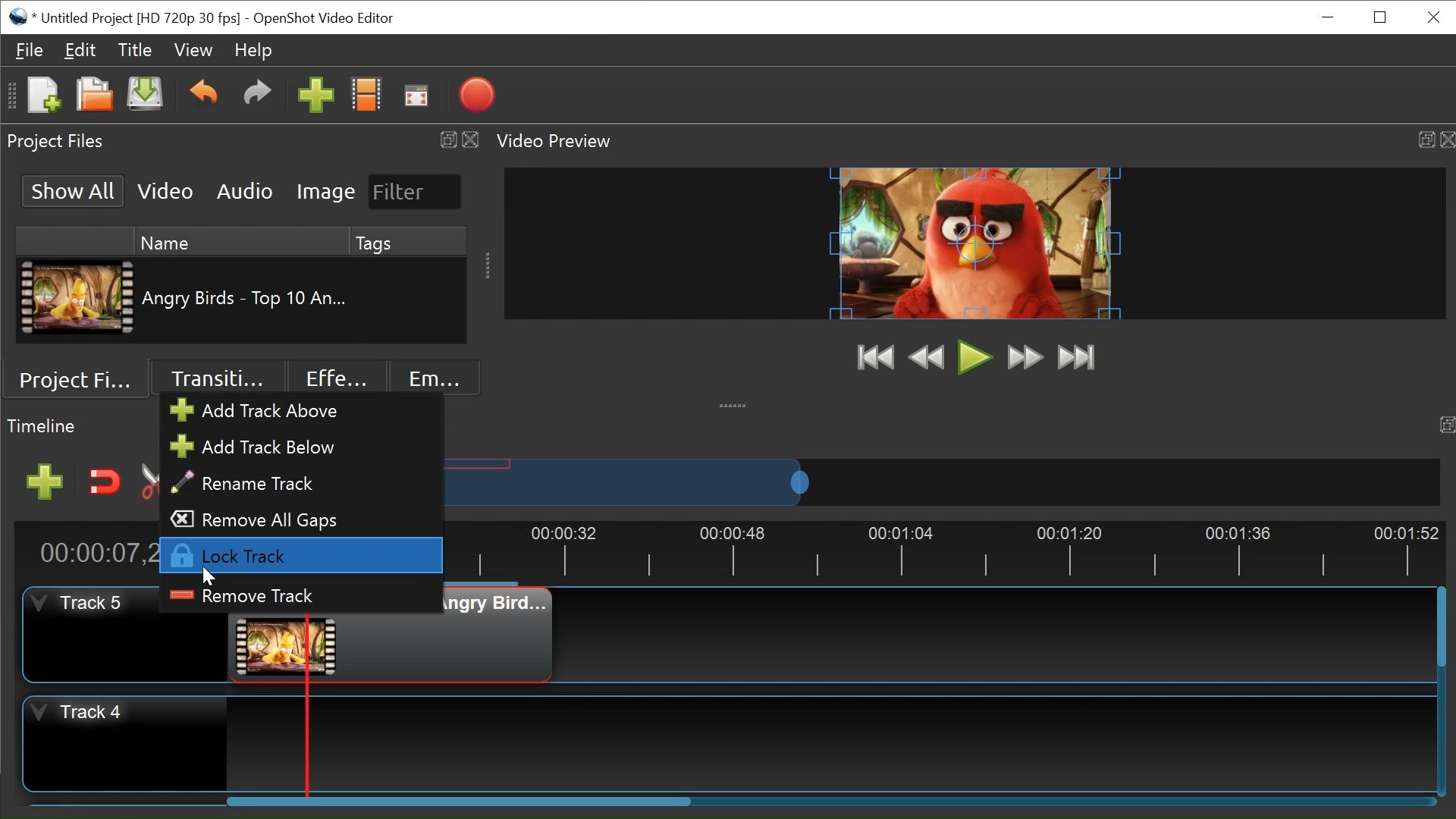  What do you see at coordinates (31, 50) in the screenshot?
I see `File` at bounding box center [31, 50].